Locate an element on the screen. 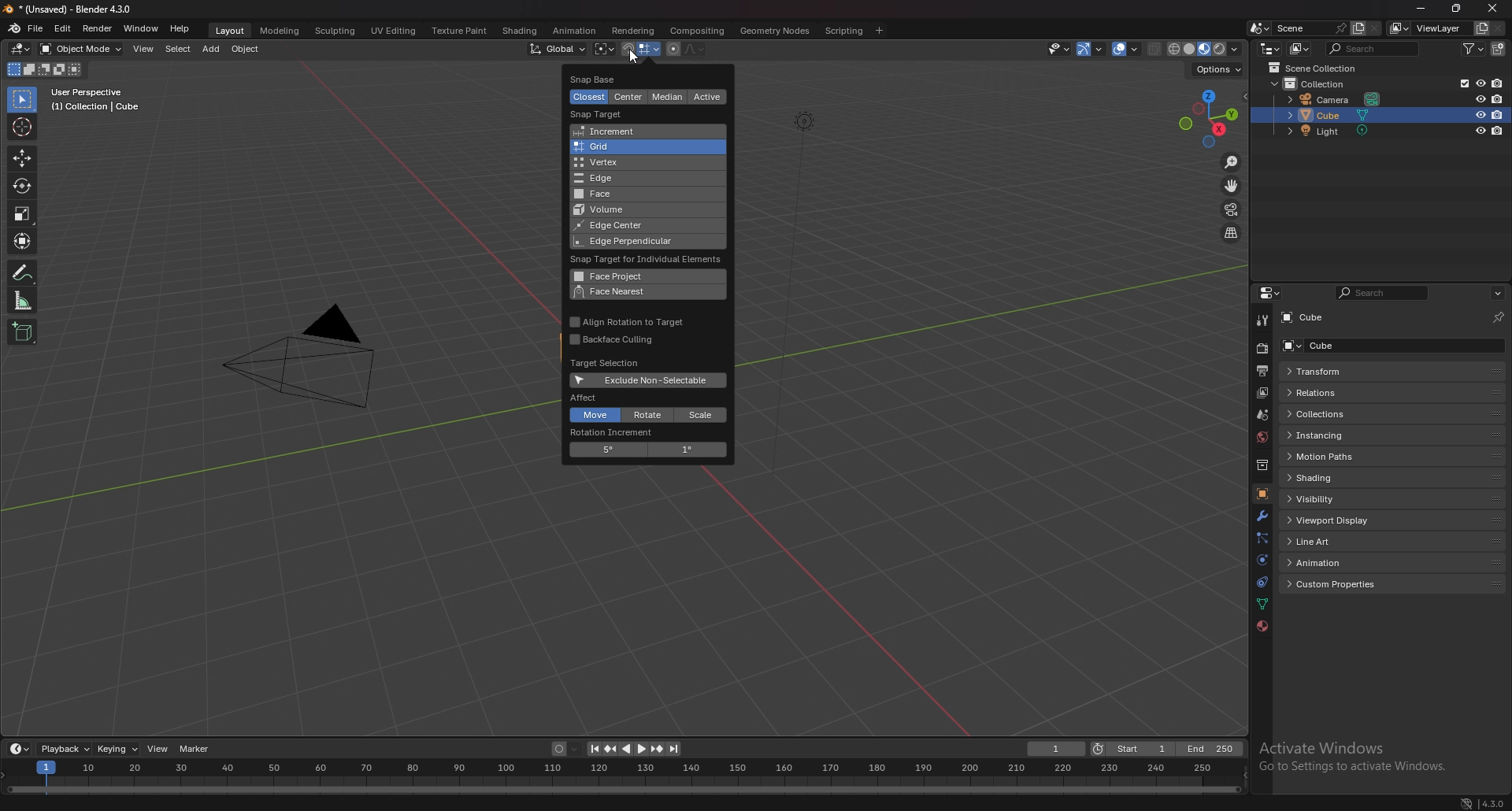  add is located at coordinates (210, 49).